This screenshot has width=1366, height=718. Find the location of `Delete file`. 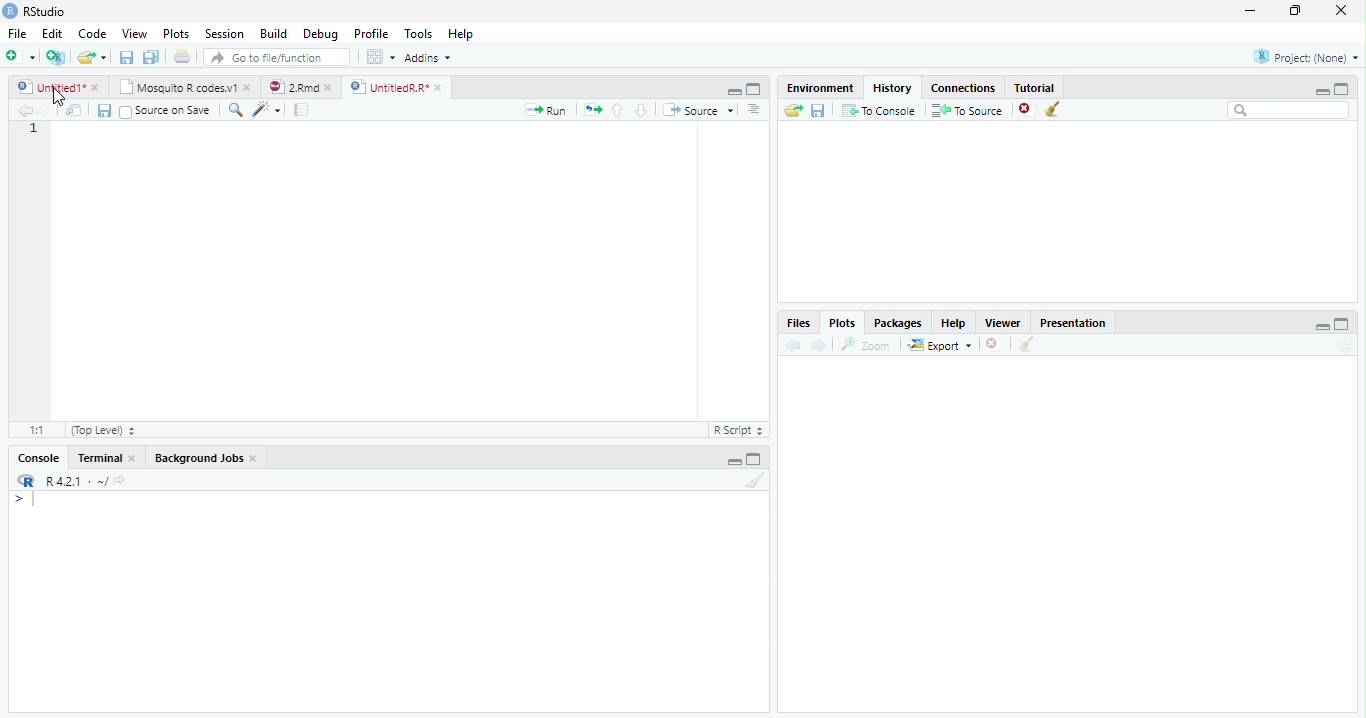

Delete file is located at coordinates (1028, 109).